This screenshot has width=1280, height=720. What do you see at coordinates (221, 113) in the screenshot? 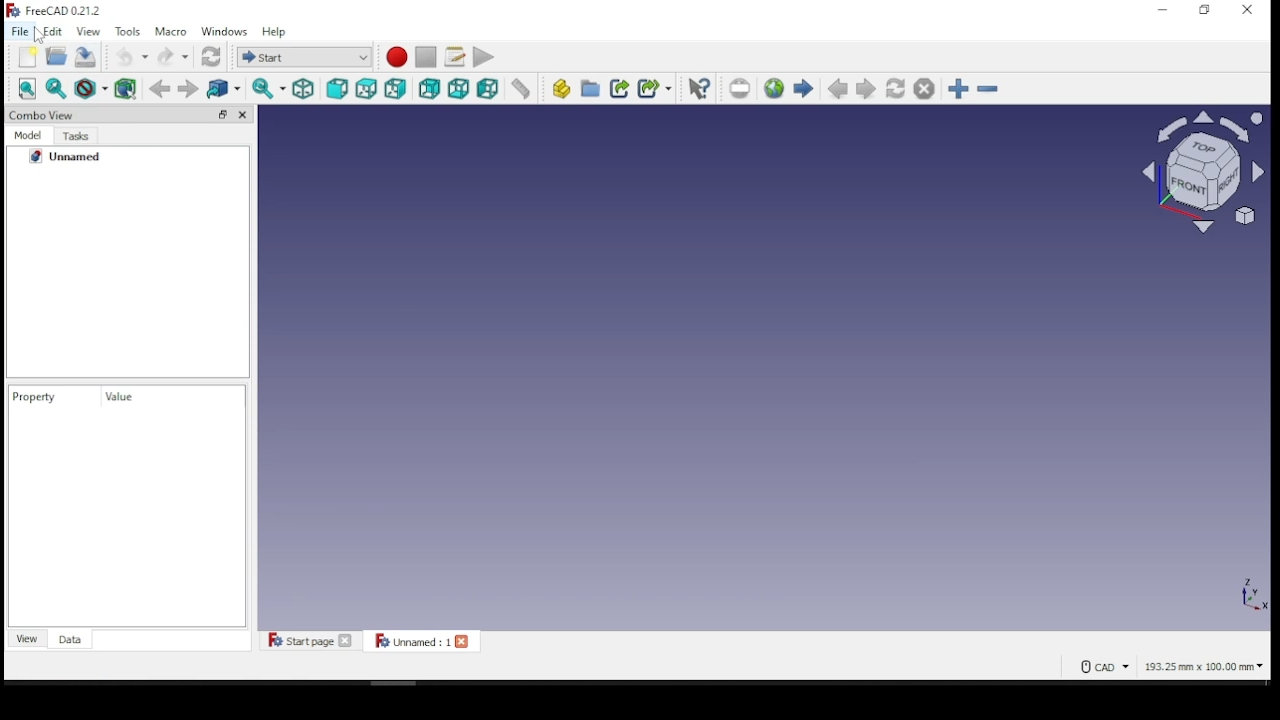
I see `detach panel` at bounding box center [221, 113].